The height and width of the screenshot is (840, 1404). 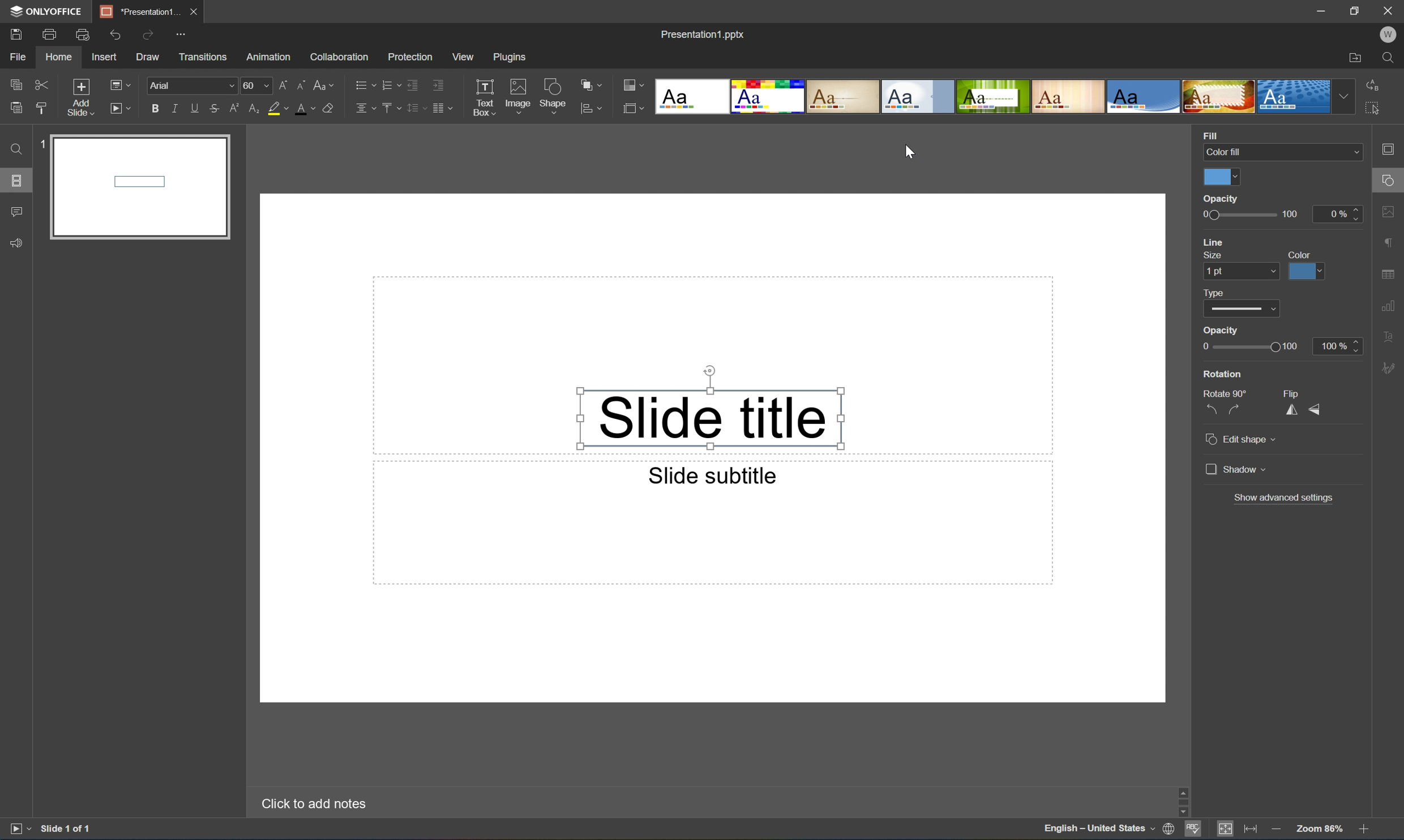 What do you see at coordinates (1222, 374) in the screenshot?
I see `Rotation` at bounding box center [1222, 374].